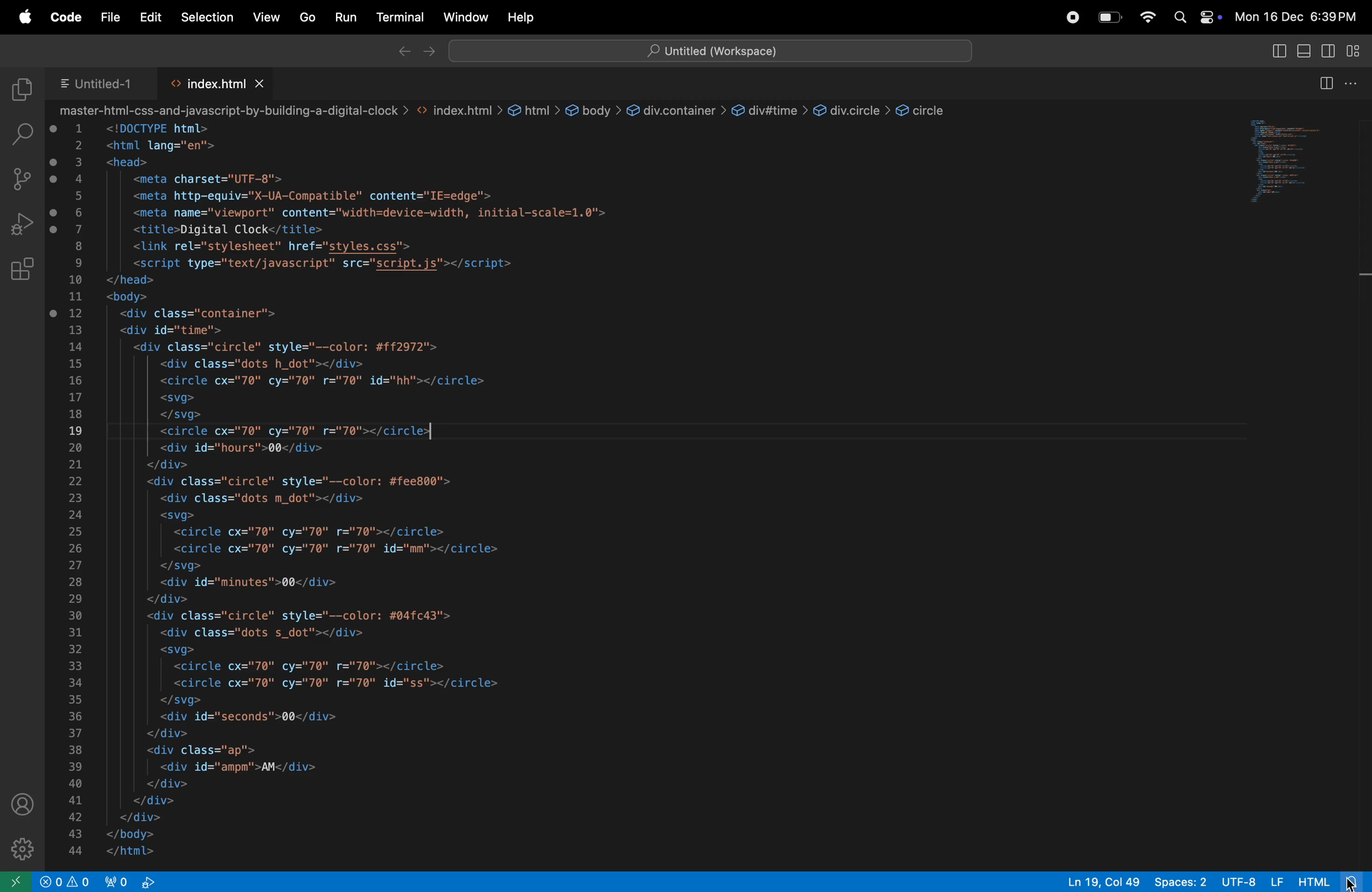 Image resolution: width=1372 pixels, height=892 pixels. Describe the element at coordinates (1249, 882) in the screenshot. I see `utf 8` at that location.